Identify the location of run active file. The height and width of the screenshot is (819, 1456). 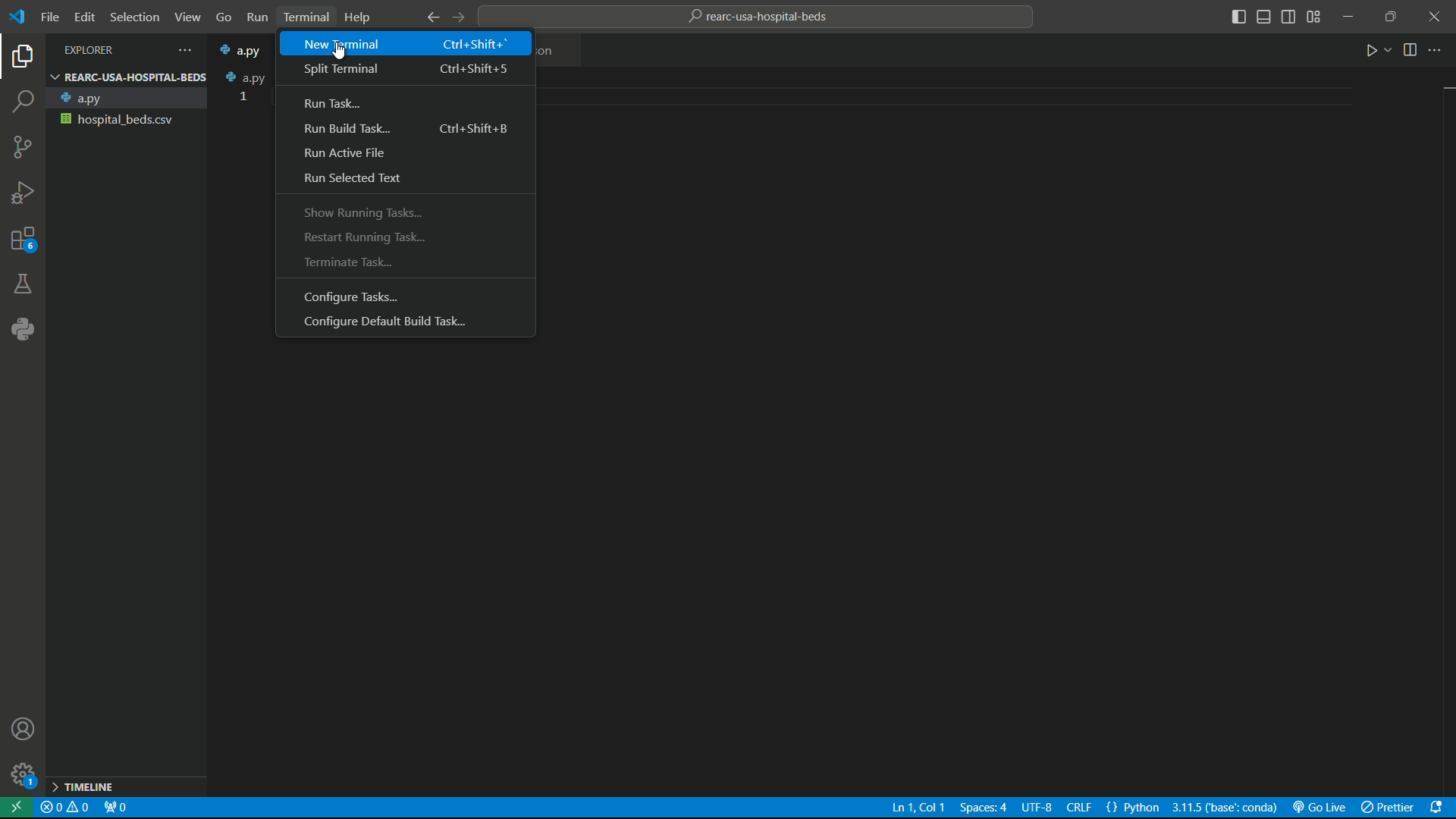
(403, 154).